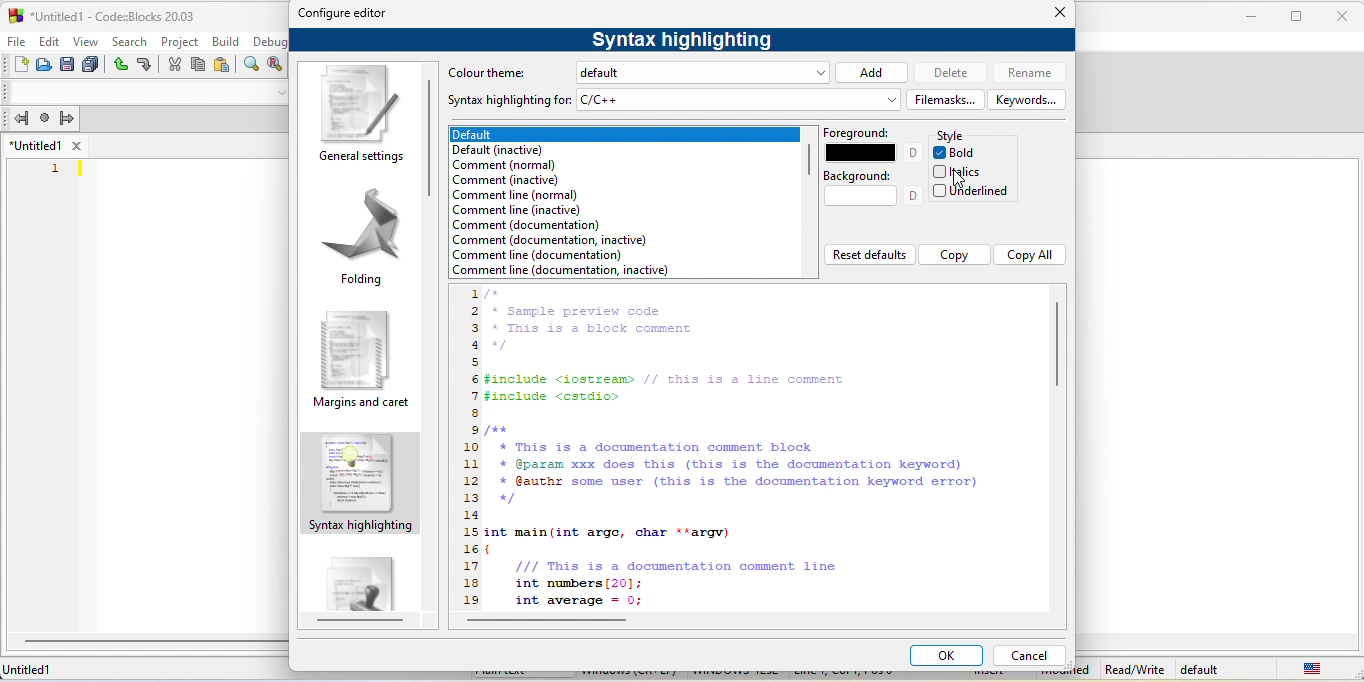 The width and height of the screenshot is (1364, 682). I want to click on vertical scroll bar, so click(1061, 344).